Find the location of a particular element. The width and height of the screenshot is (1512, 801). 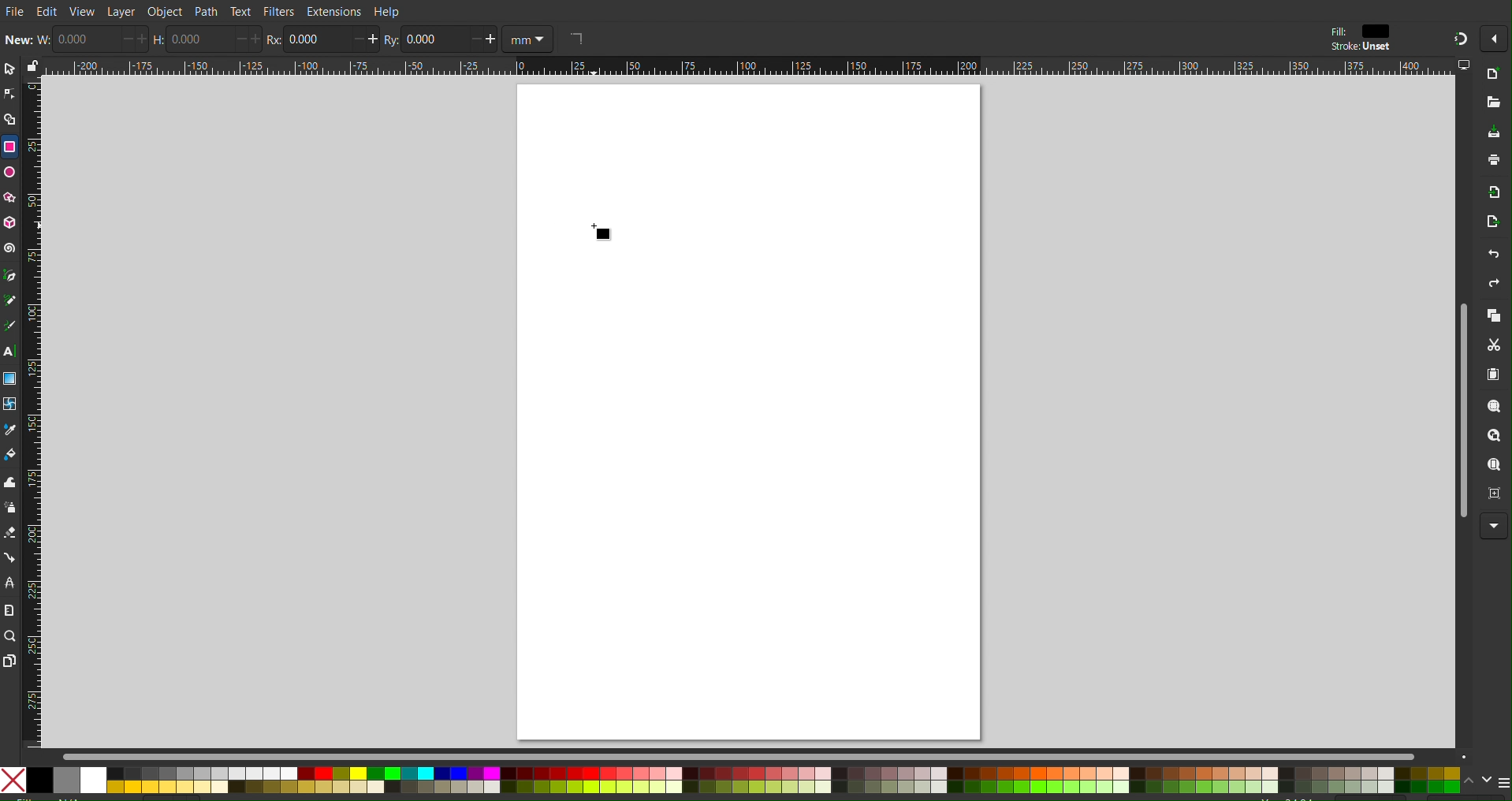

fill: is located at coordinates (1337, 30).